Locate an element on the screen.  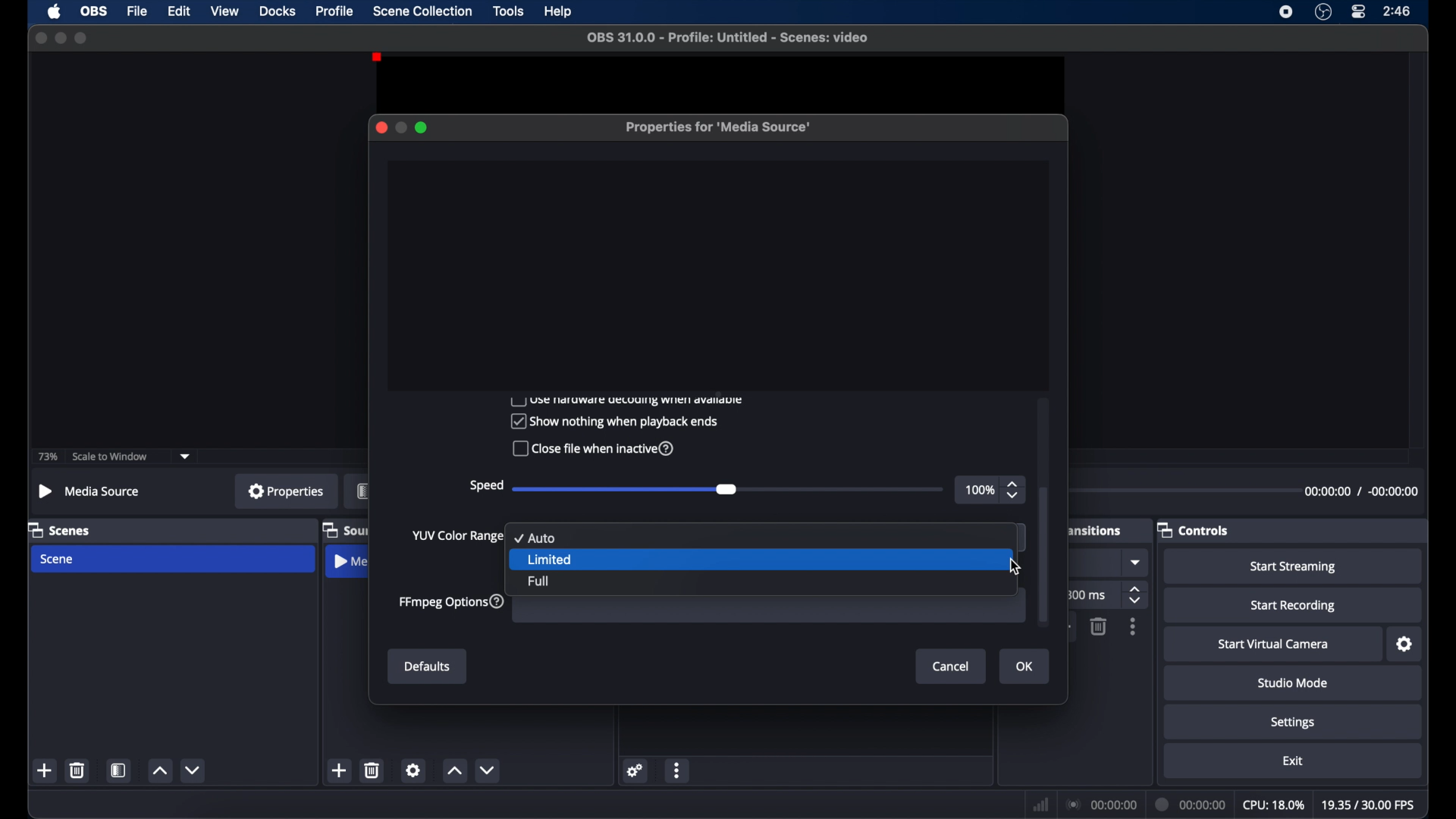
tools is located at coordinates (509, 11).